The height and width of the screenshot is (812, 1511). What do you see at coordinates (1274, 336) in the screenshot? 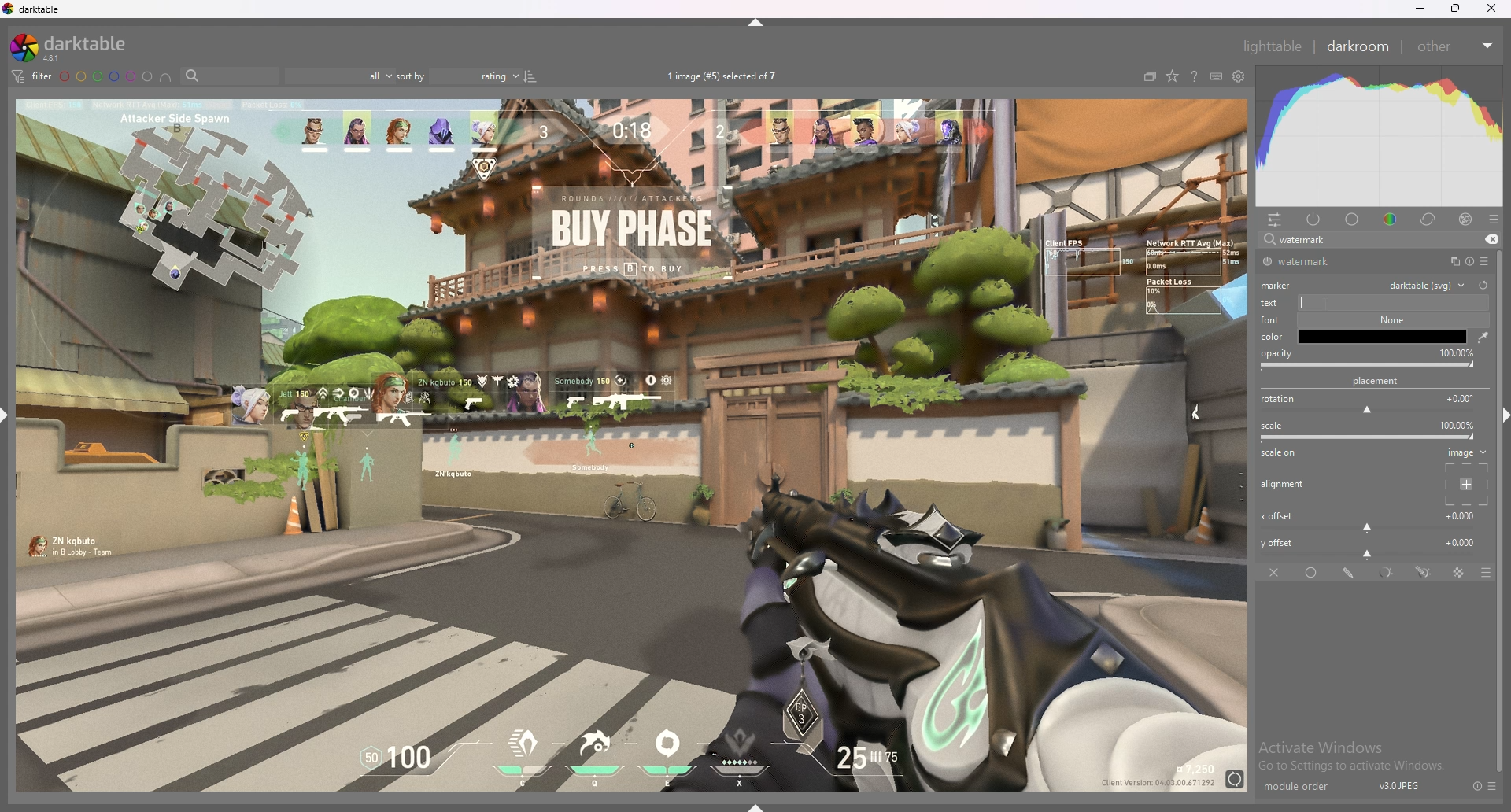
I see `color` at bounding box center [1274, 336].